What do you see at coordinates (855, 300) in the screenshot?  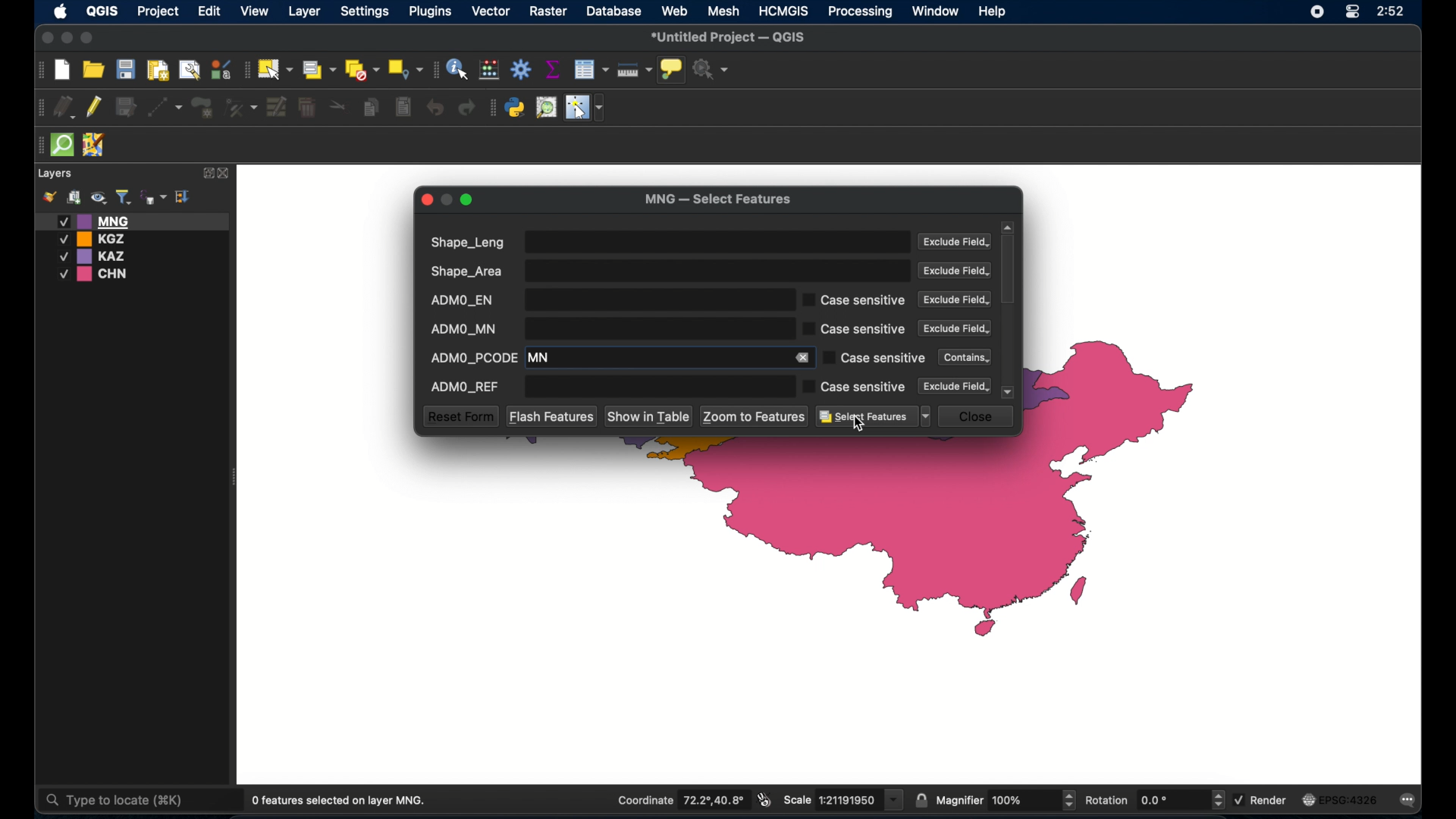 I see `case sensitive` at bounding box center [855, 300].